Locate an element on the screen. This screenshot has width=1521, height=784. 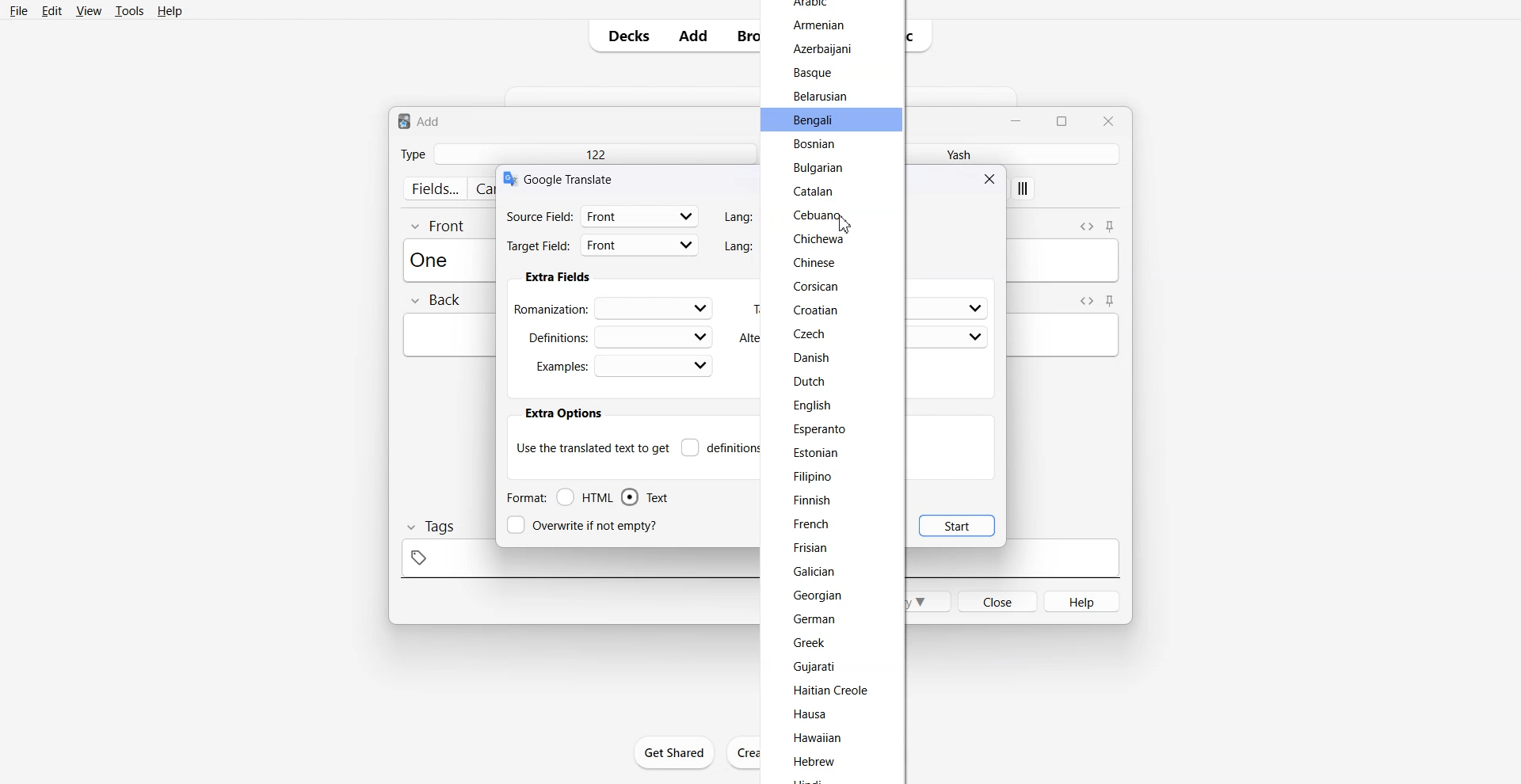
Format is located at coordinates (525, 497).